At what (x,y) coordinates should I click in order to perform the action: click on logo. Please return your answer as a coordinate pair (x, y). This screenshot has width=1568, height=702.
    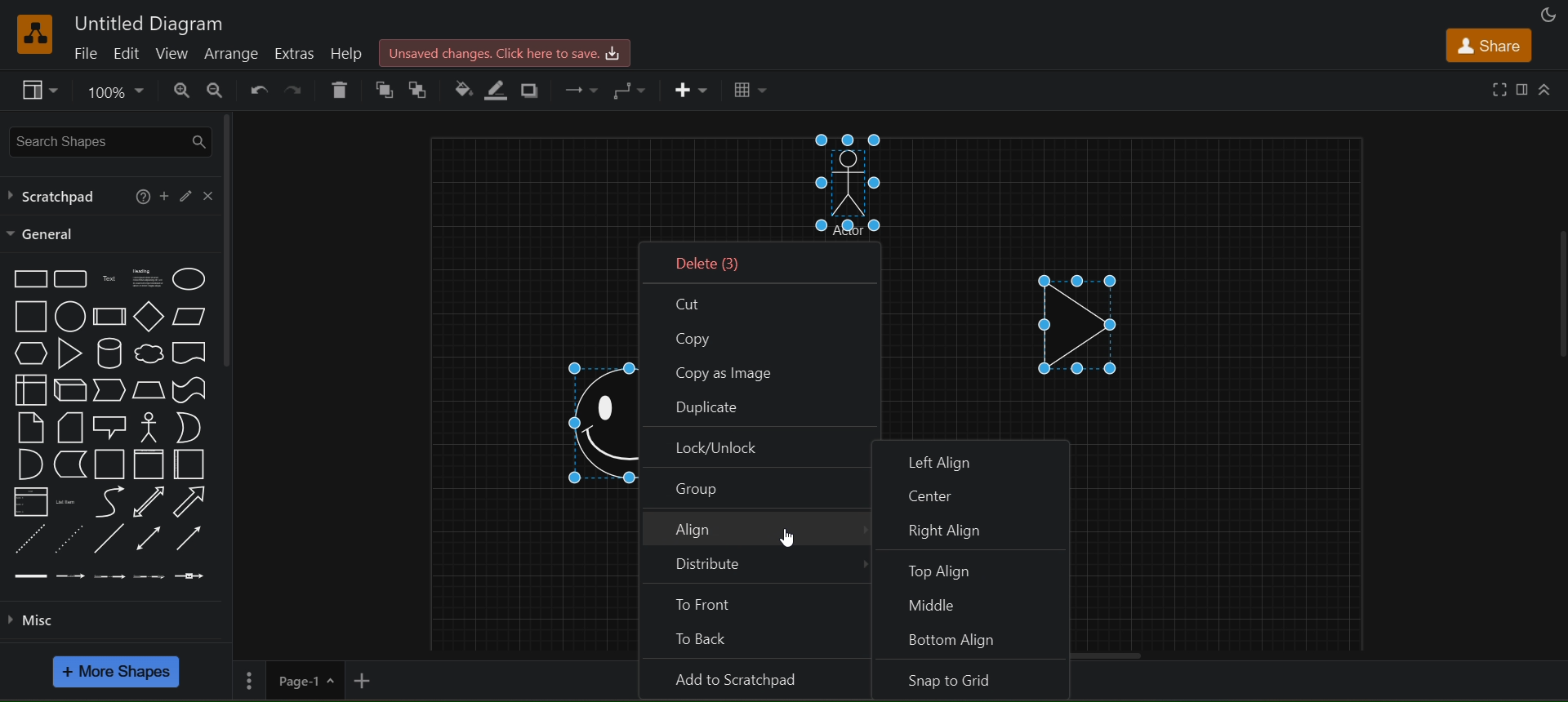
    Looking at the image, I should click on (34, 33).